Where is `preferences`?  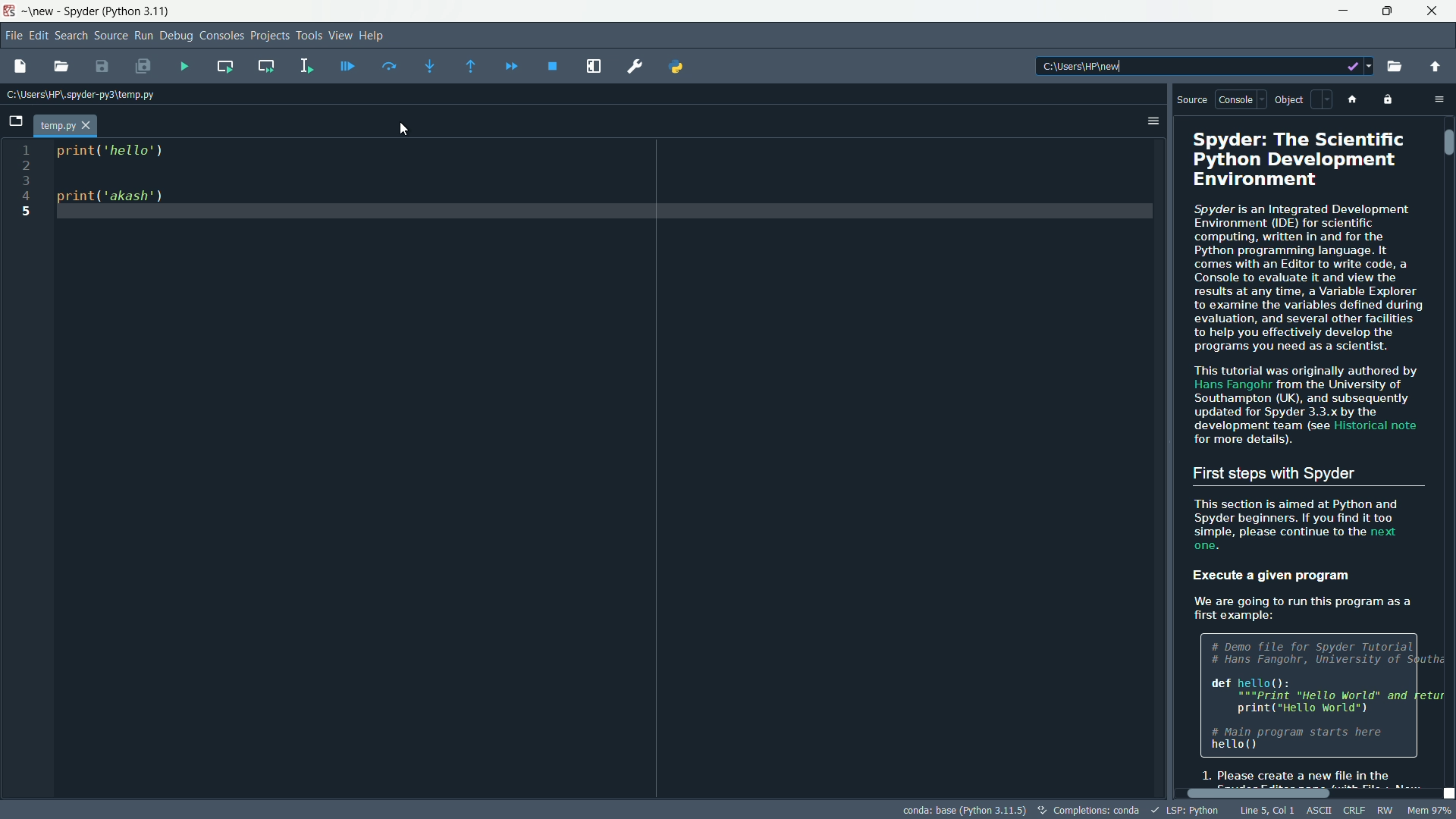
preferences is located at coordinates (634, 66).